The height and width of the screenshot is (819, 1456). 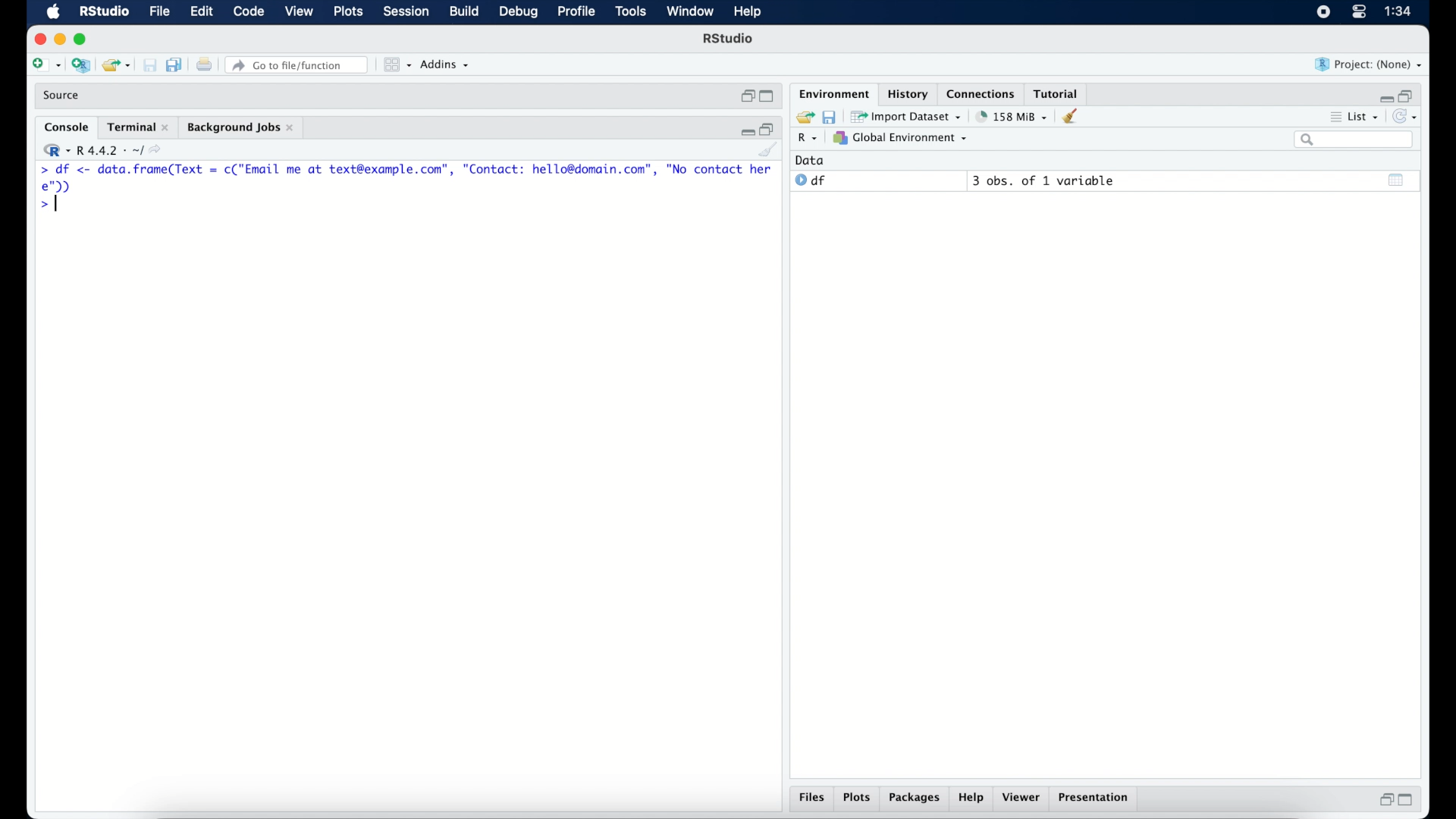 What do you see at coordinates (149, 64) in the screenshot?
I see `print` at bounding box center [149, 64].